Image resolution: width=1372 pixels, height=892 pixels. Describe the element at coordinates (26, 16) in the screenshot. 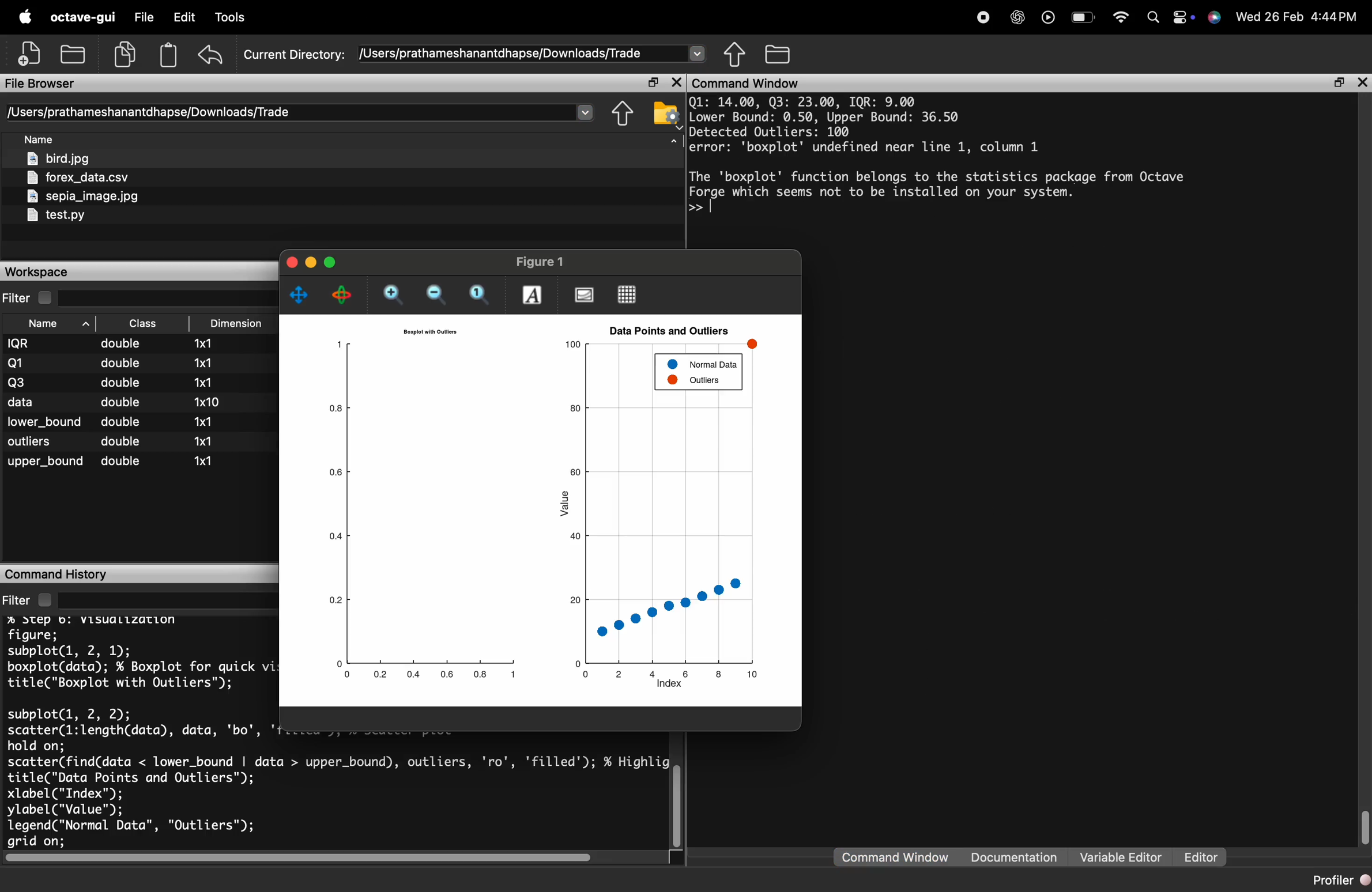

I see `apple` at that location.